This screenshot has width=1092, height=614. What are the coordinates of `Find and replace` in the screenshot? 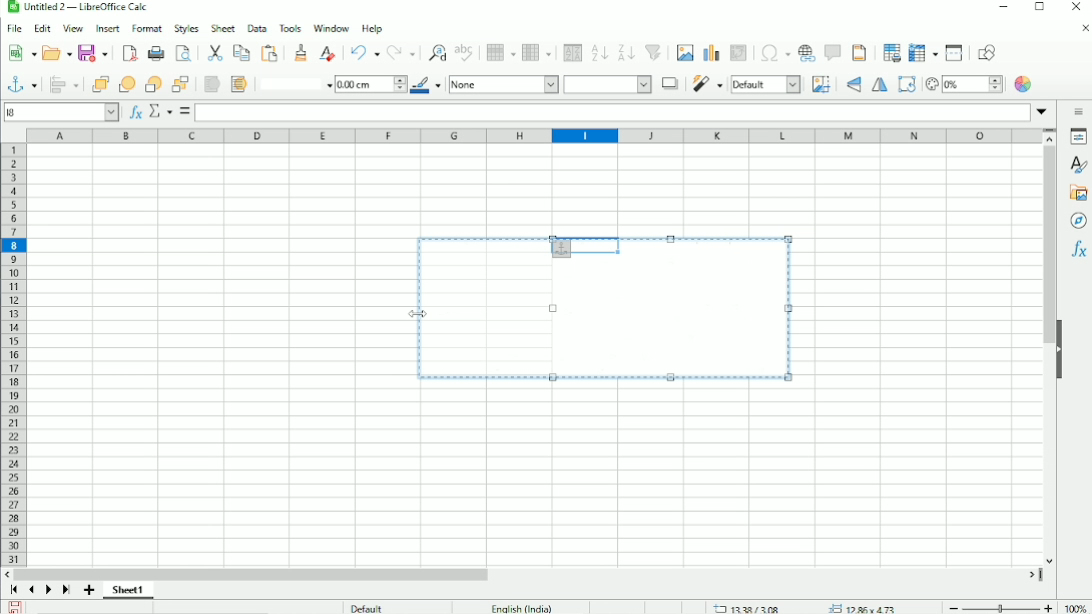 It's located at (435, 51).